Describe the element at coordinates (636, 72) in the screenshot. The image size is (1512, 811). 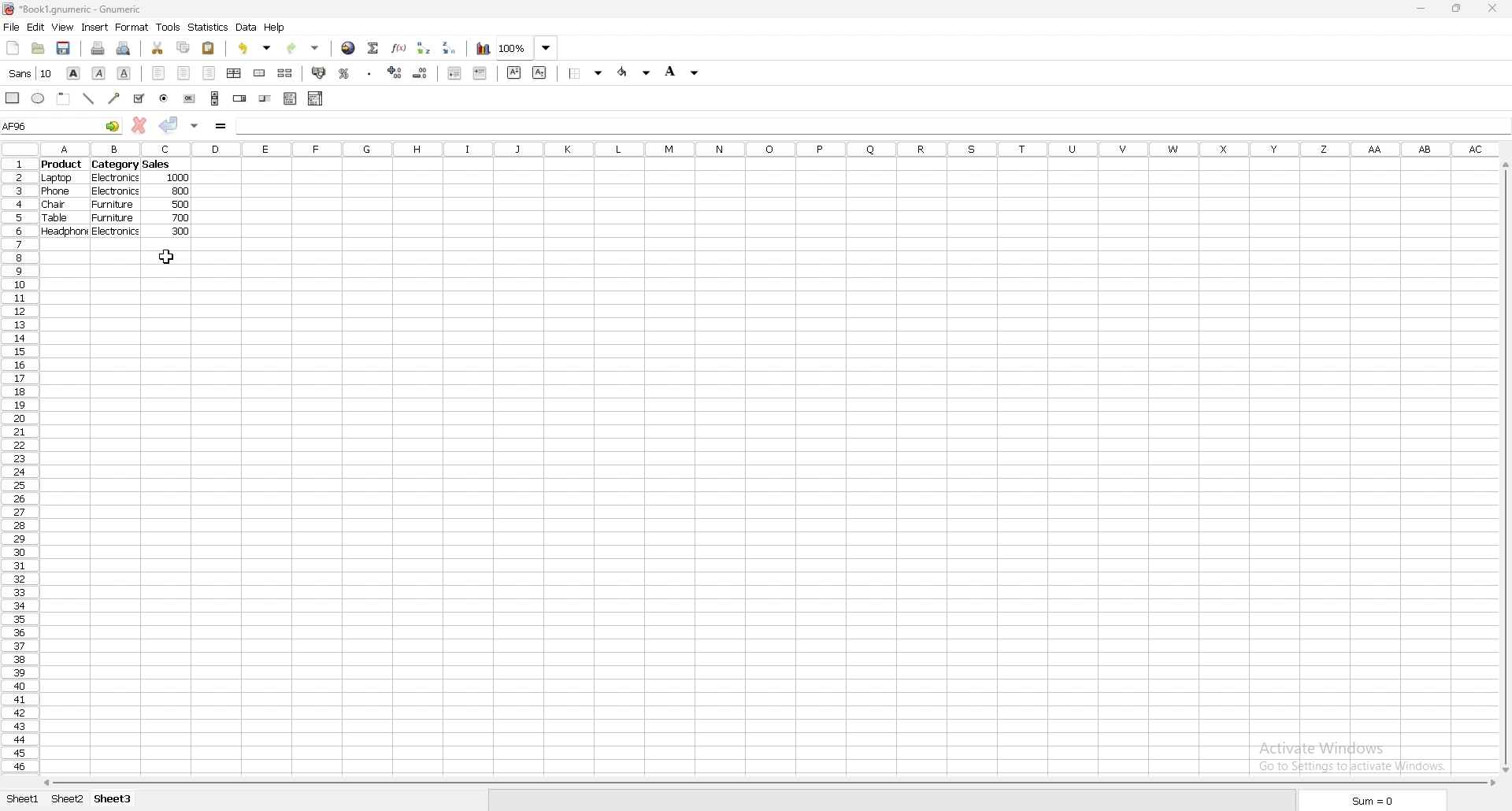
I see `foreground` at that location.